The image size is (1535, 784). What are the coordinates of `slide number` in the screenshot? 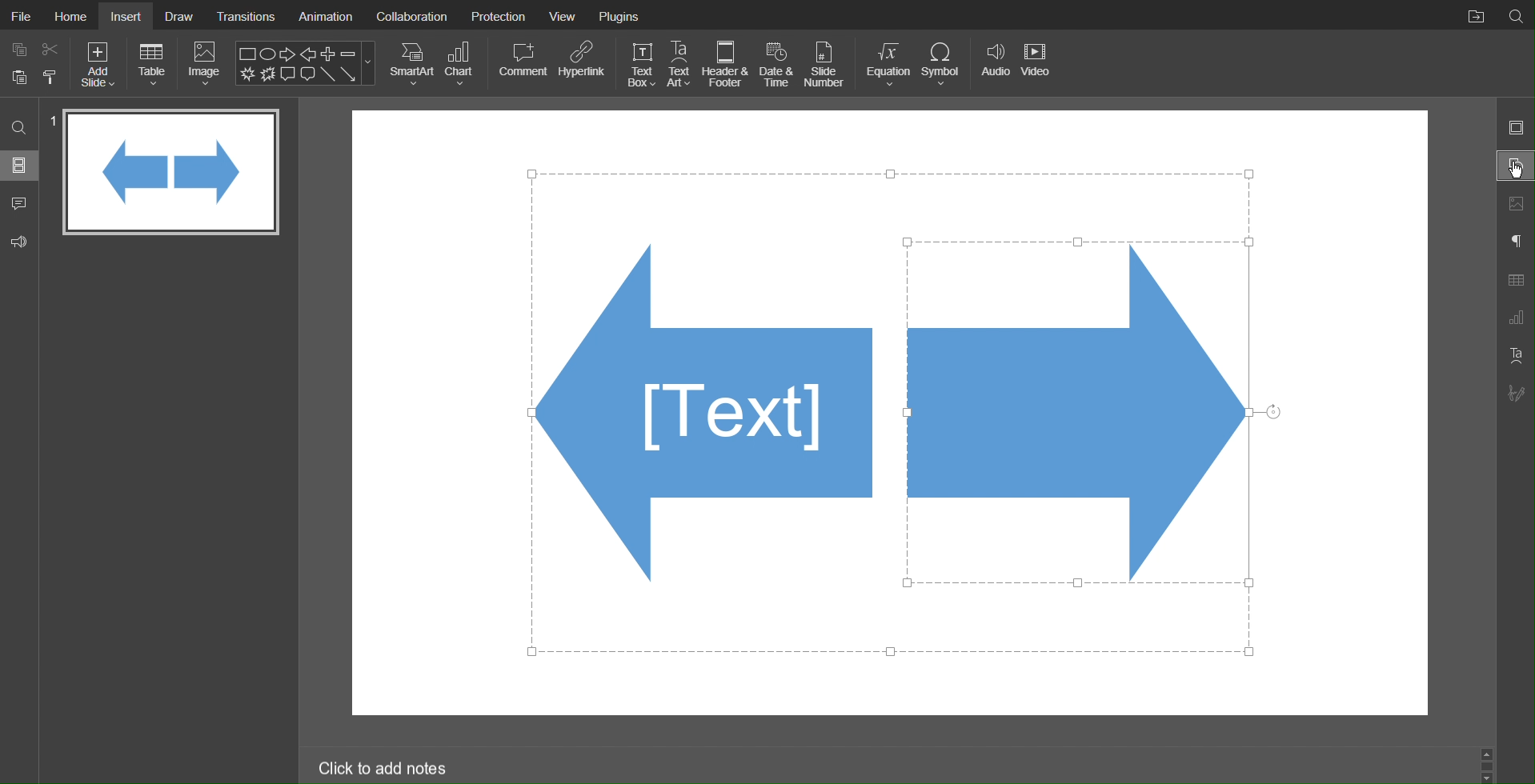 It's located at (52, 122).